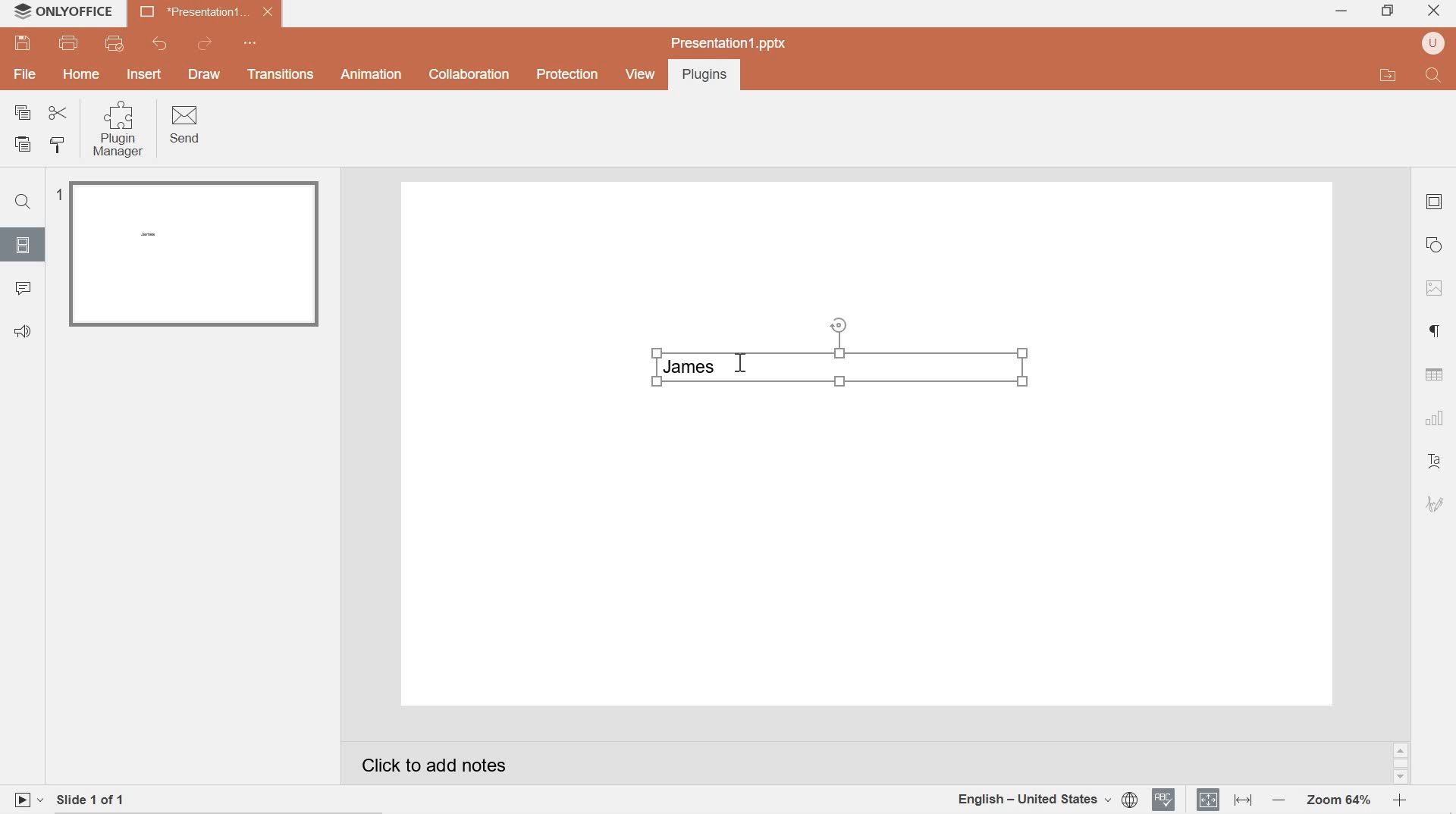 The image size is (1456, 814). Describe the element at coordinates (1436, 290) in the screenshot. I see `image` at that location.